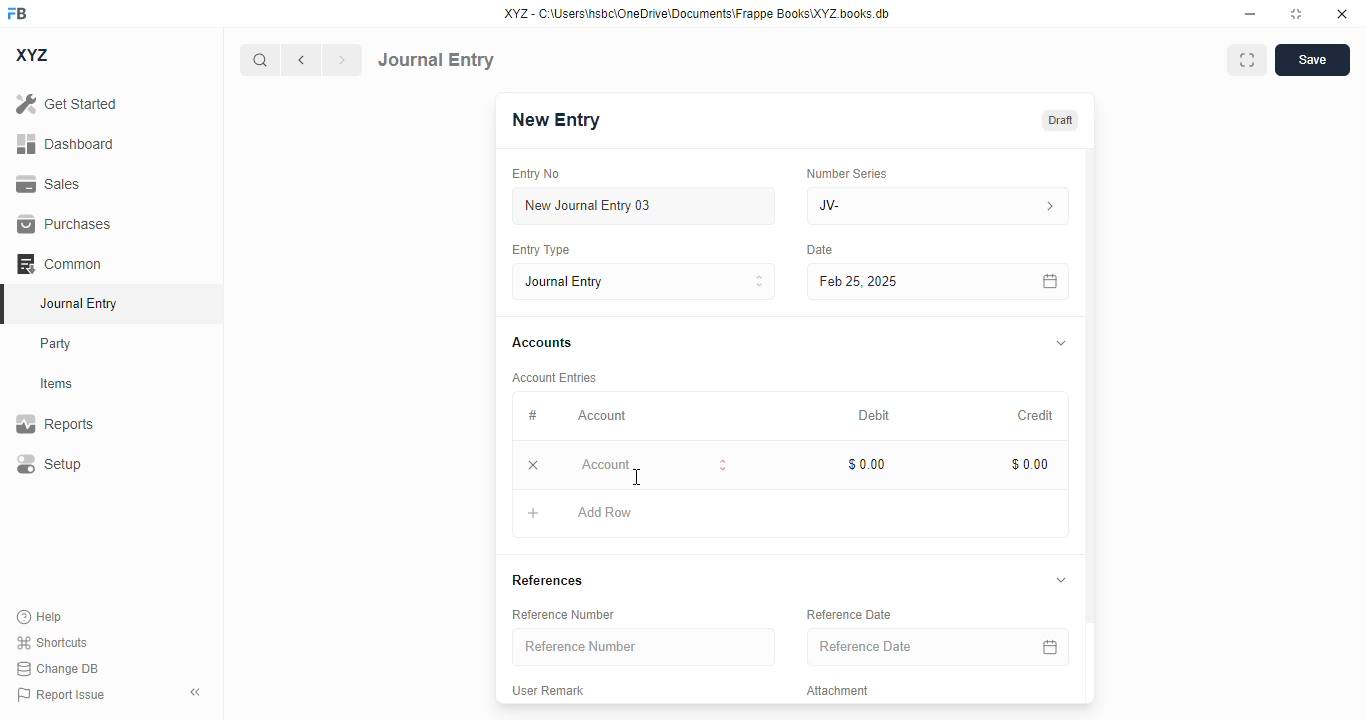  What do you see at coordinates (643, 646) in the screenshot?
I see `reference number` at bounding box center [643, 646].